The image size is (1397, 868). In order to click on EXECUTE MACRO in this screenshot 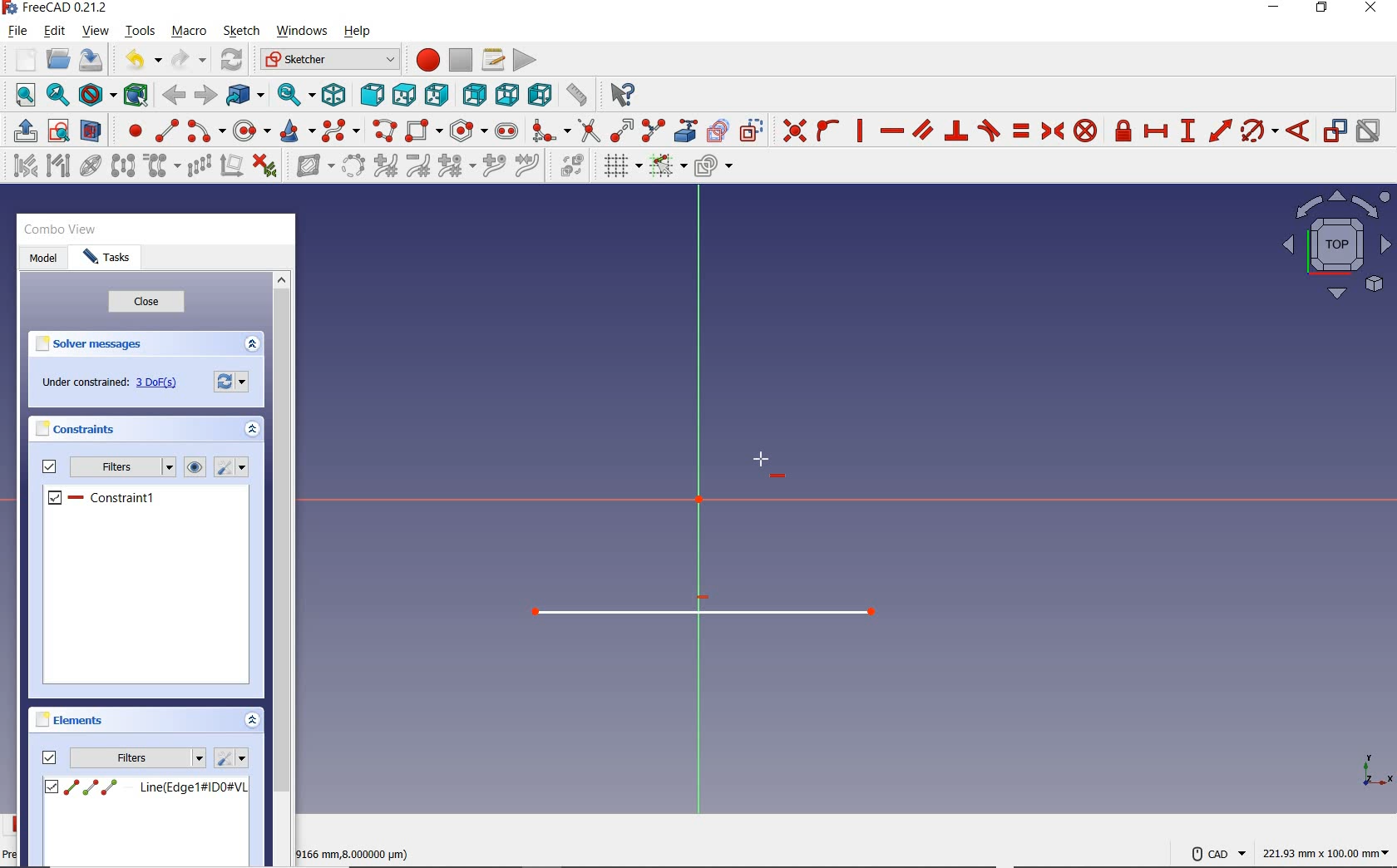, I will do `click(525, 60)`.